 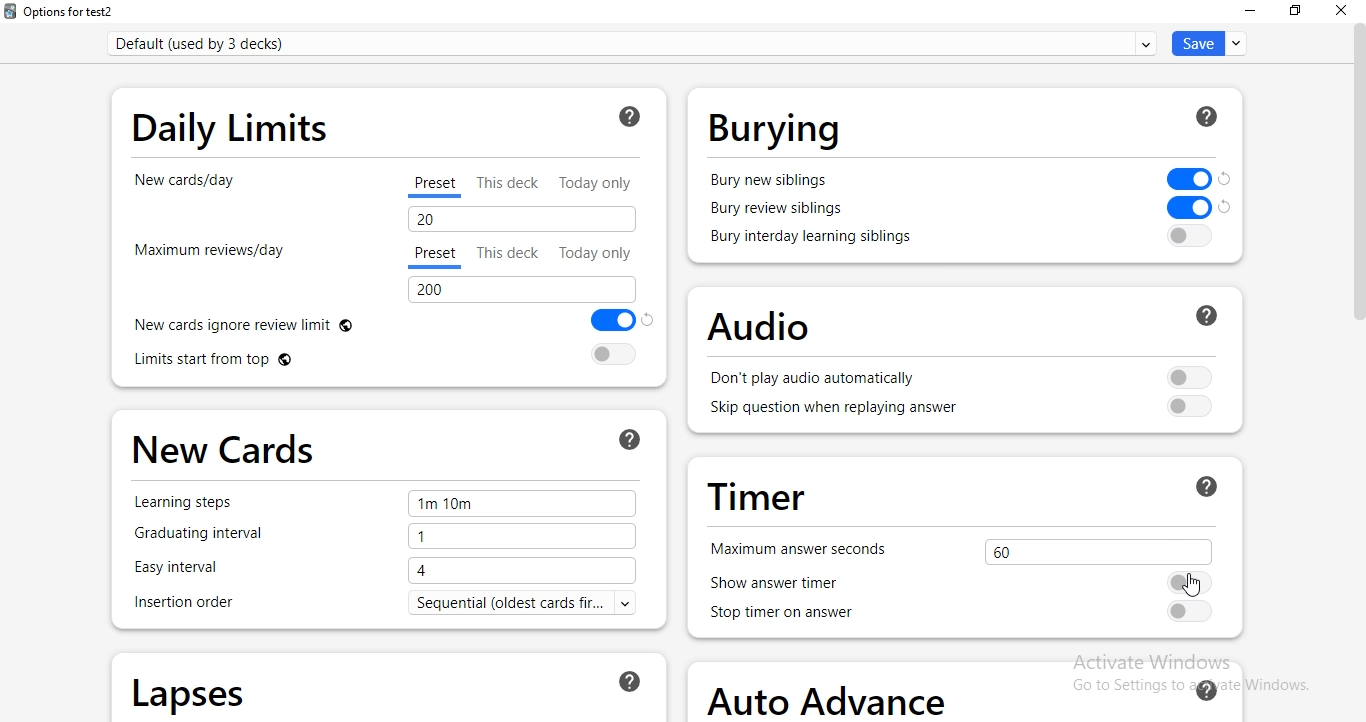 I want to click on bury new siblings, so click(x=971, y=180).